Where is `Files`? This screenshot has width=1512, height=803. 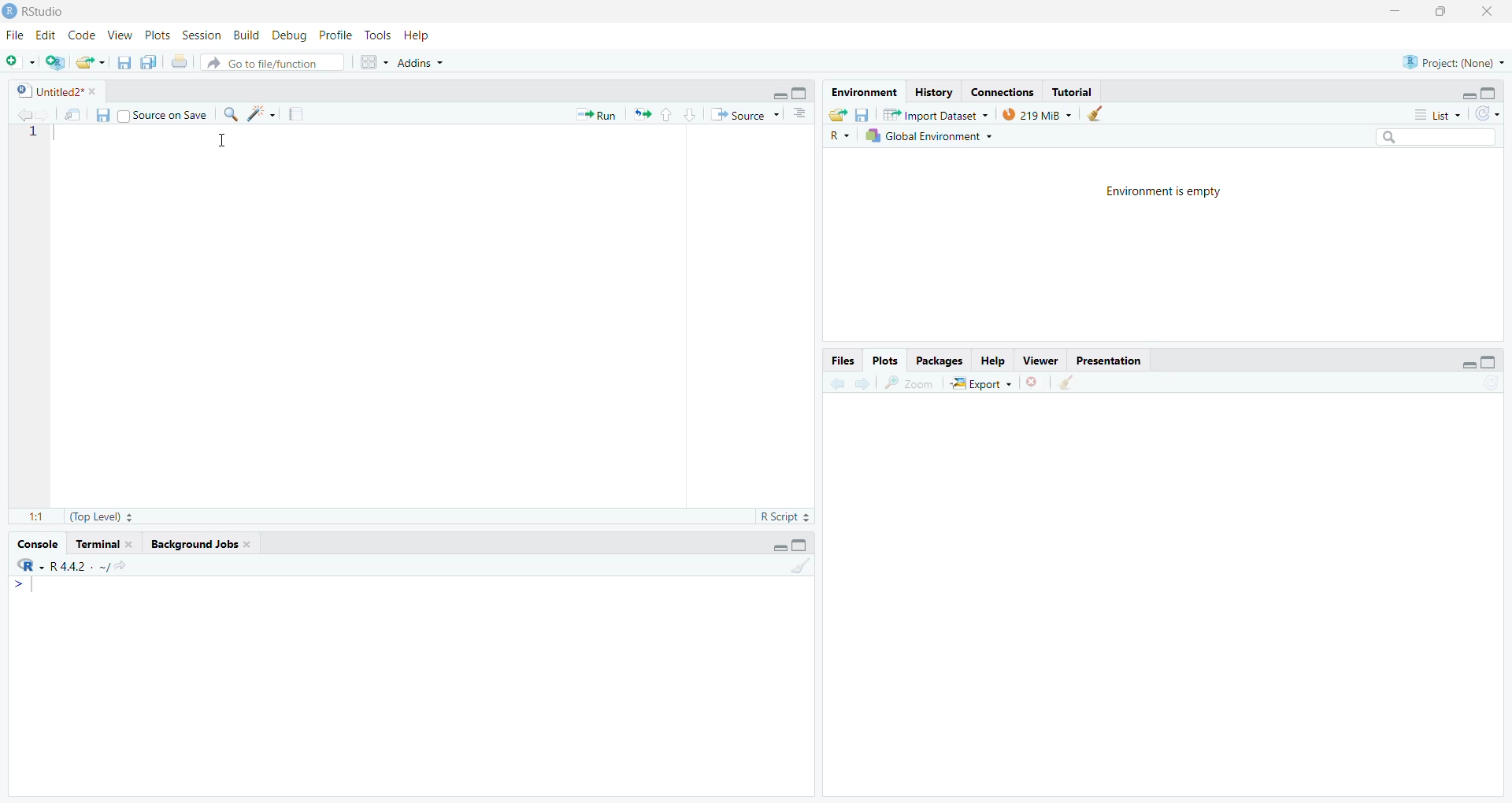 Files is located at coordinates (843, 361).